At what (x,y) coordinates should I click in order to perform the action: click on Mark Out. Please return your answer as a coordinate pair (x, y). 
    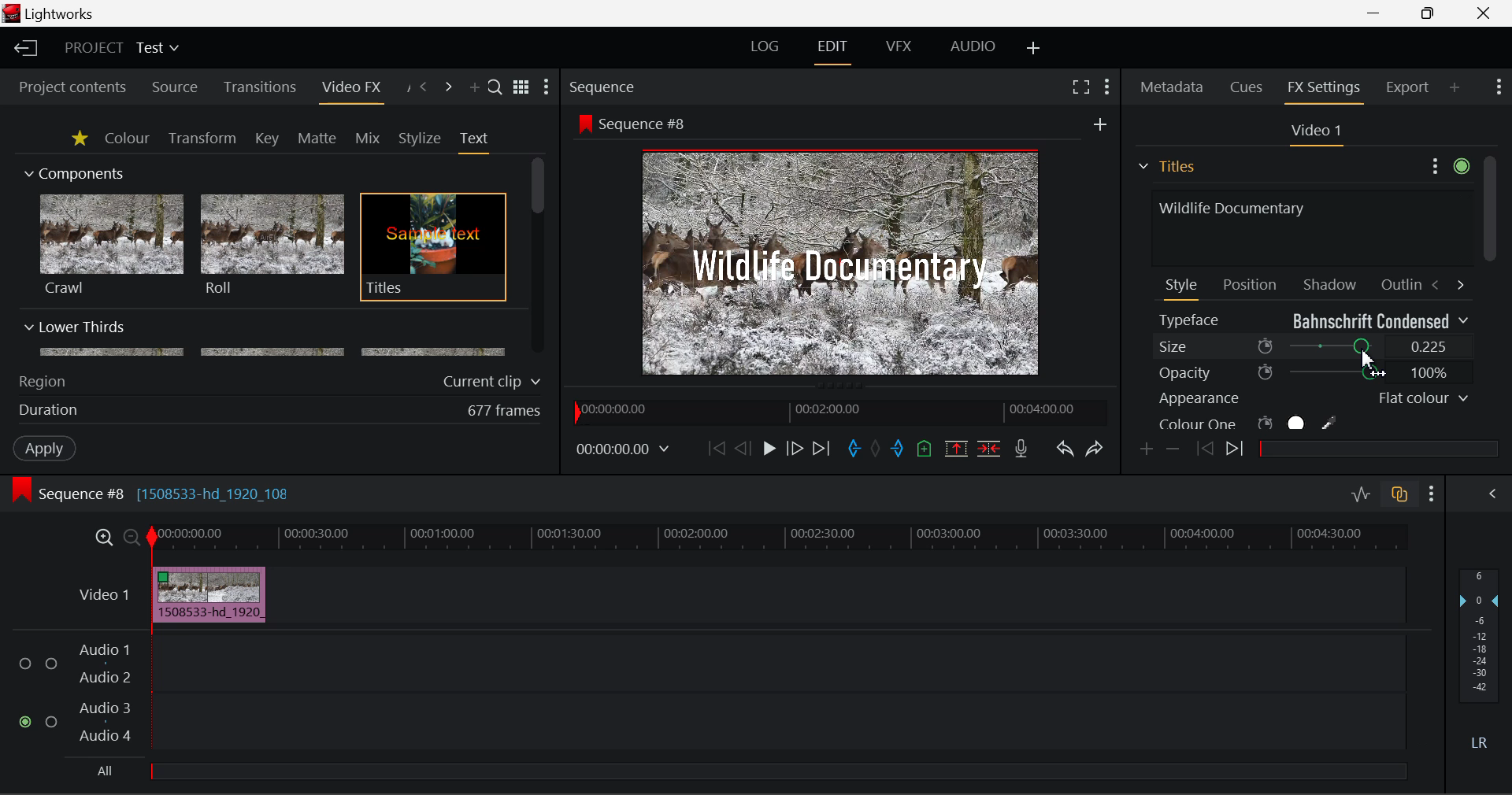
    Looking at the image, I should click on (899, 450).